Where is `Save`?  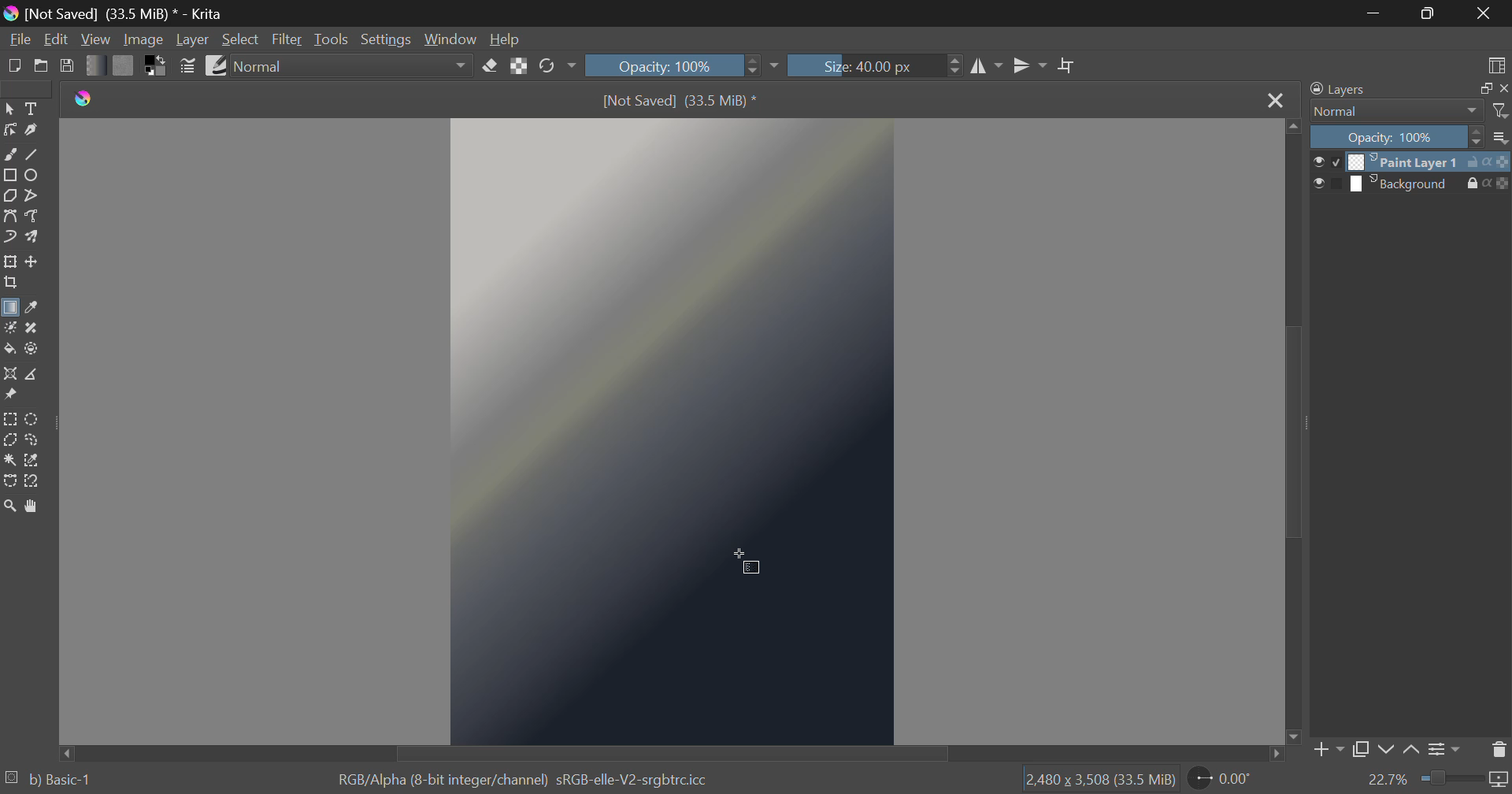
Save is located at coordinates (68, 65).